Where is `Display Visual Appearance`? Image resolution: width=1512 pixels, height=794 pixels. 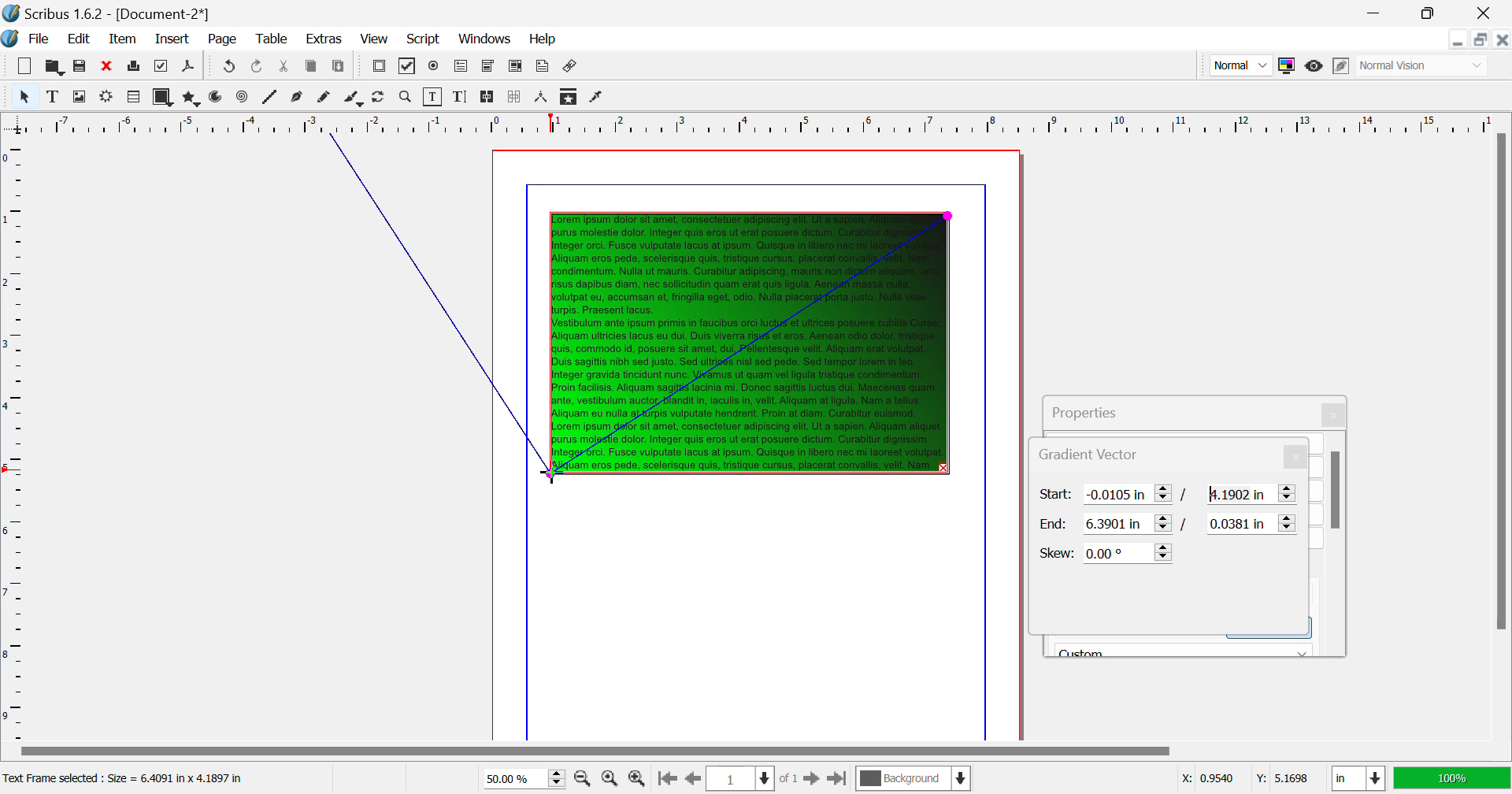 Display Visual Appearance is located at coordinates (1424, 65).